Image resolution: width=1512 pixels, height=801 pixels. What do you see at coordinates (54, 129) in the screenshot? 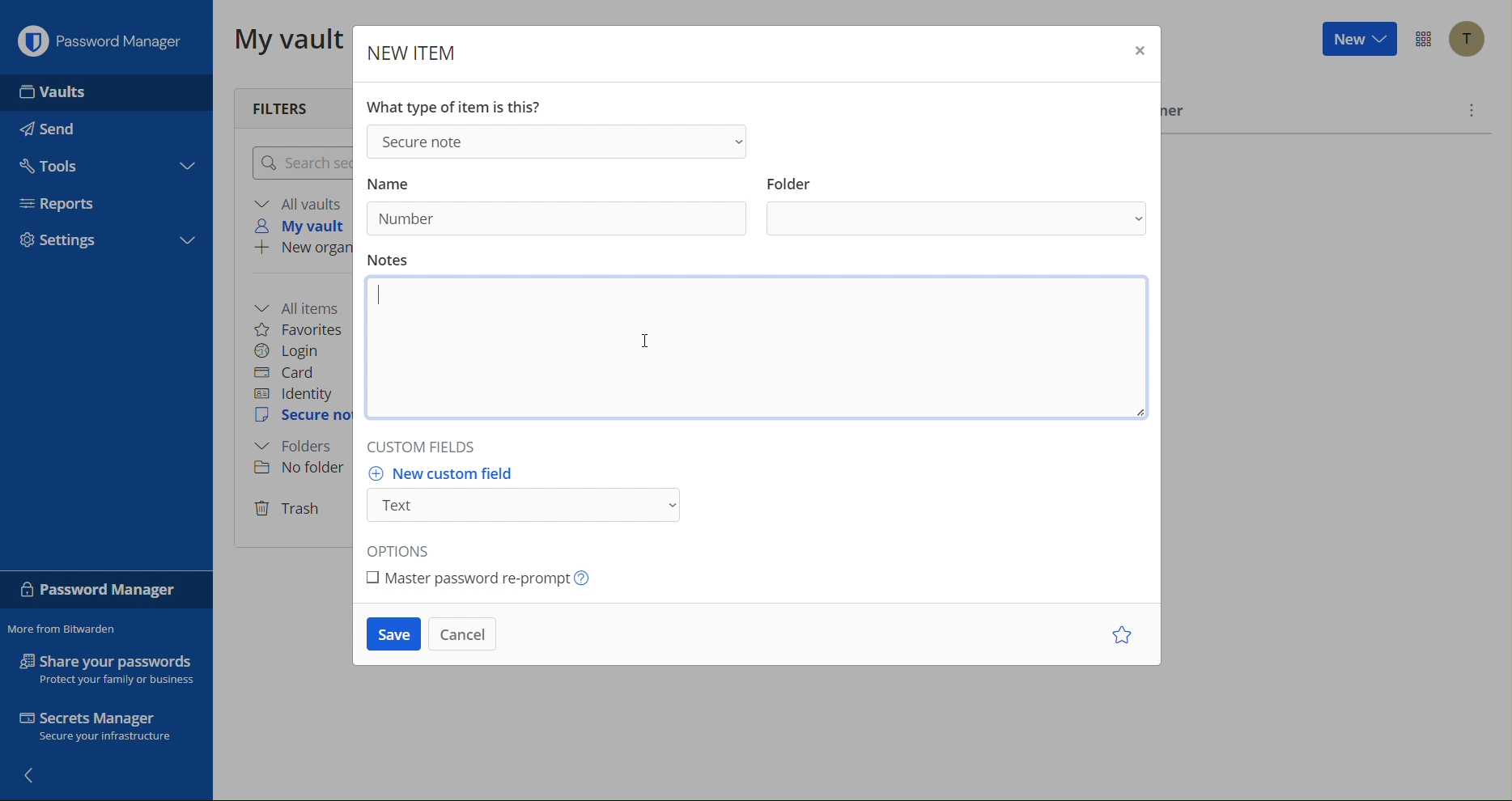
I see `Send` at bounding box center [54, 129].